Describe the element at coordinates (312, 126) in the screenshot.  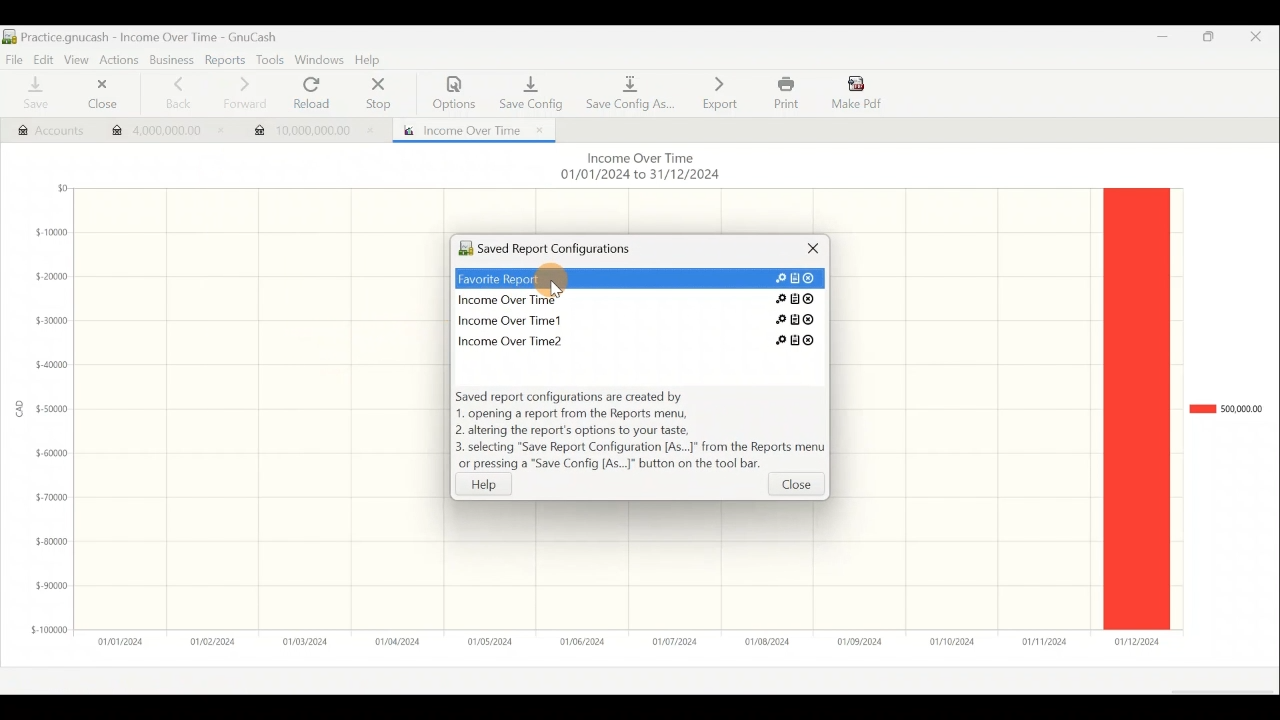
I see `Imported transaction 2` at that location.